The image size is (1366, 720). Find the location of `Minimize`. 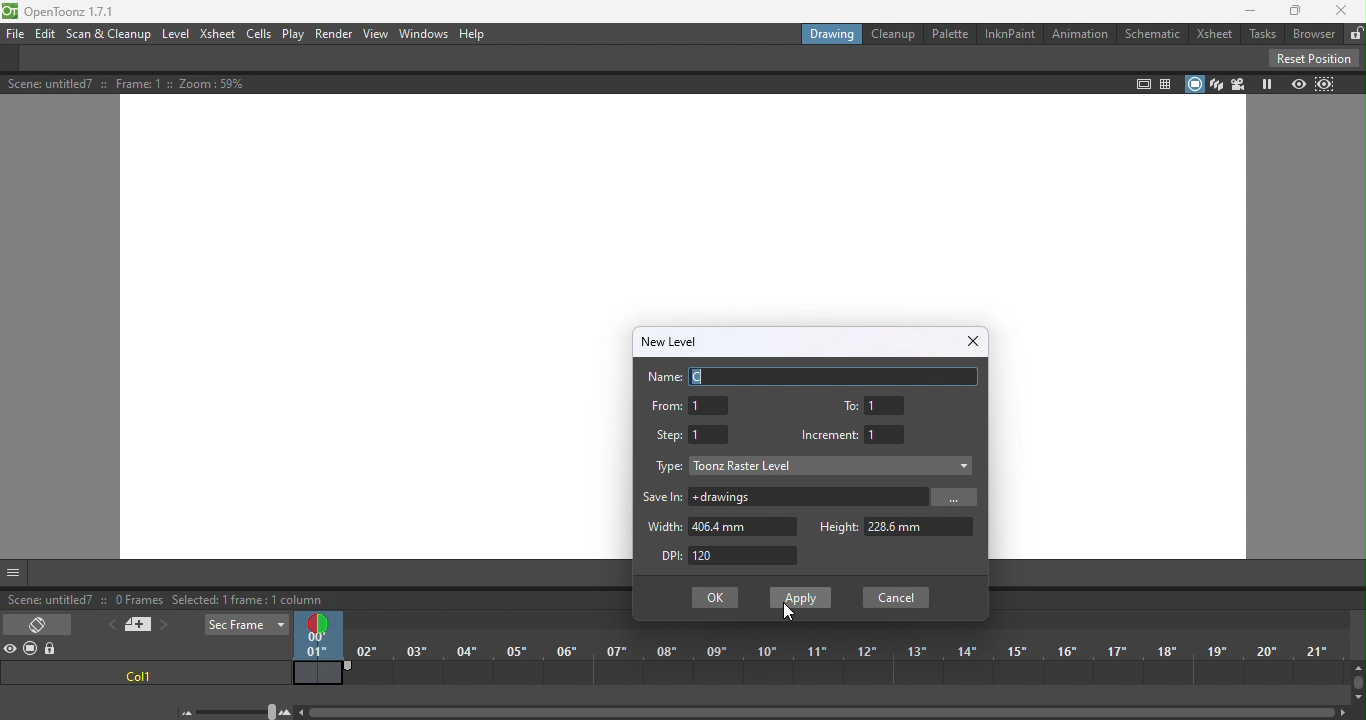

Minimize is located at coordinates (1245, 12).